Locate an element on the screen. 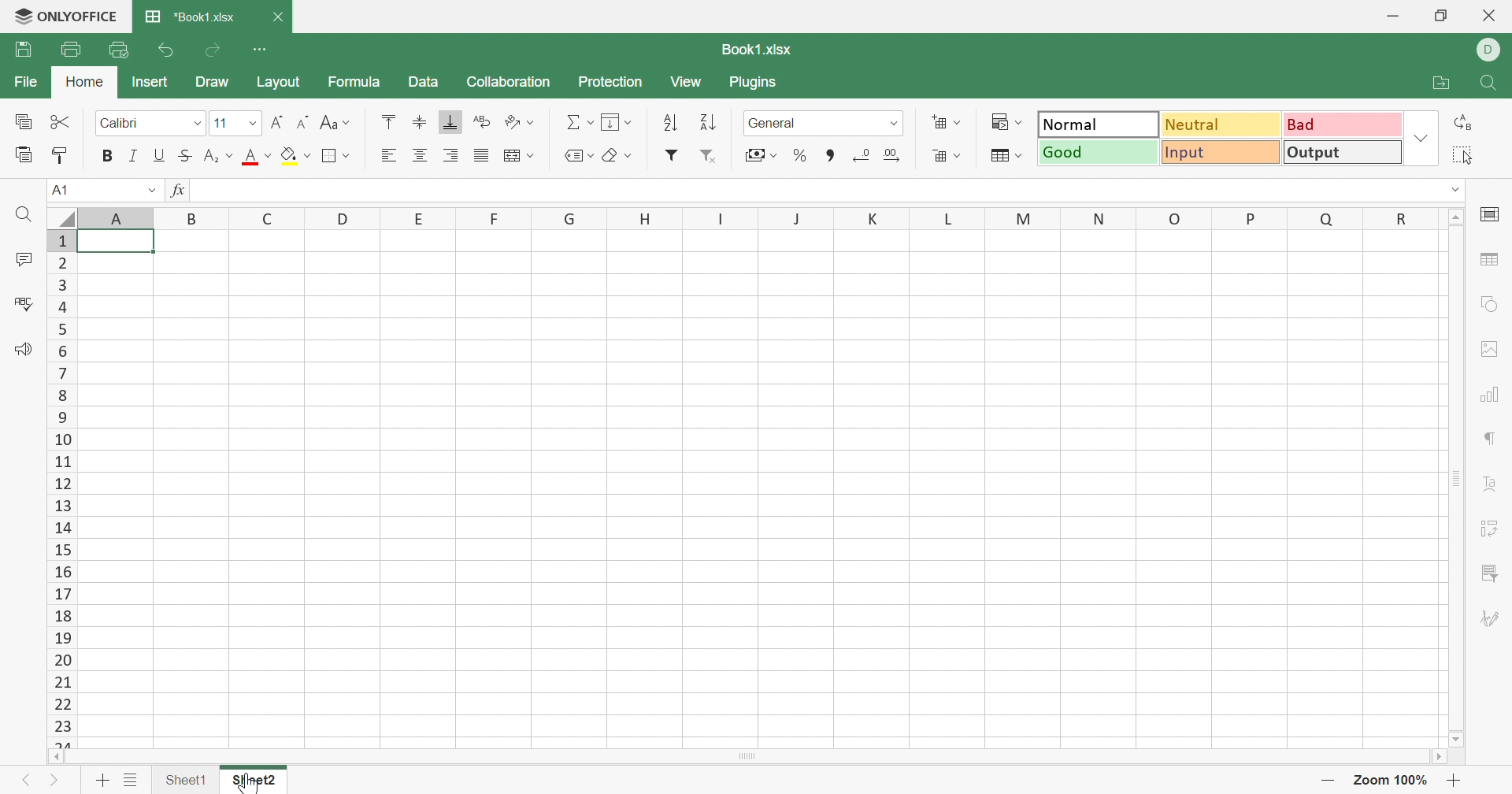 Image resolution: width=1512 pixels, height=794 pixels. Superscript/ Subscript is located at coordinates (211, 156).